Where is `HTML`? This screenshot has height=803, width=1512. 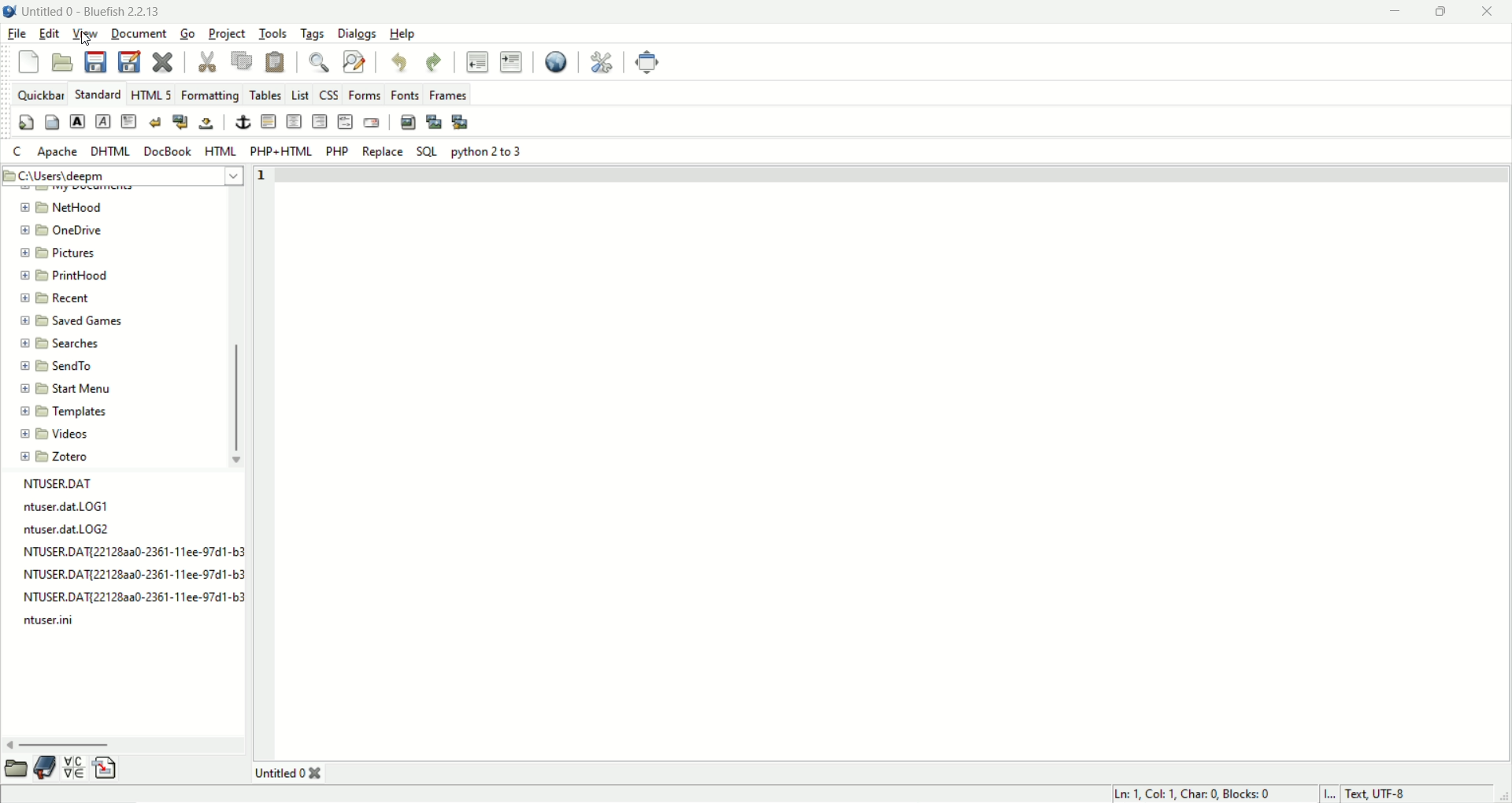 HTML is located at coordinates (224, 150).